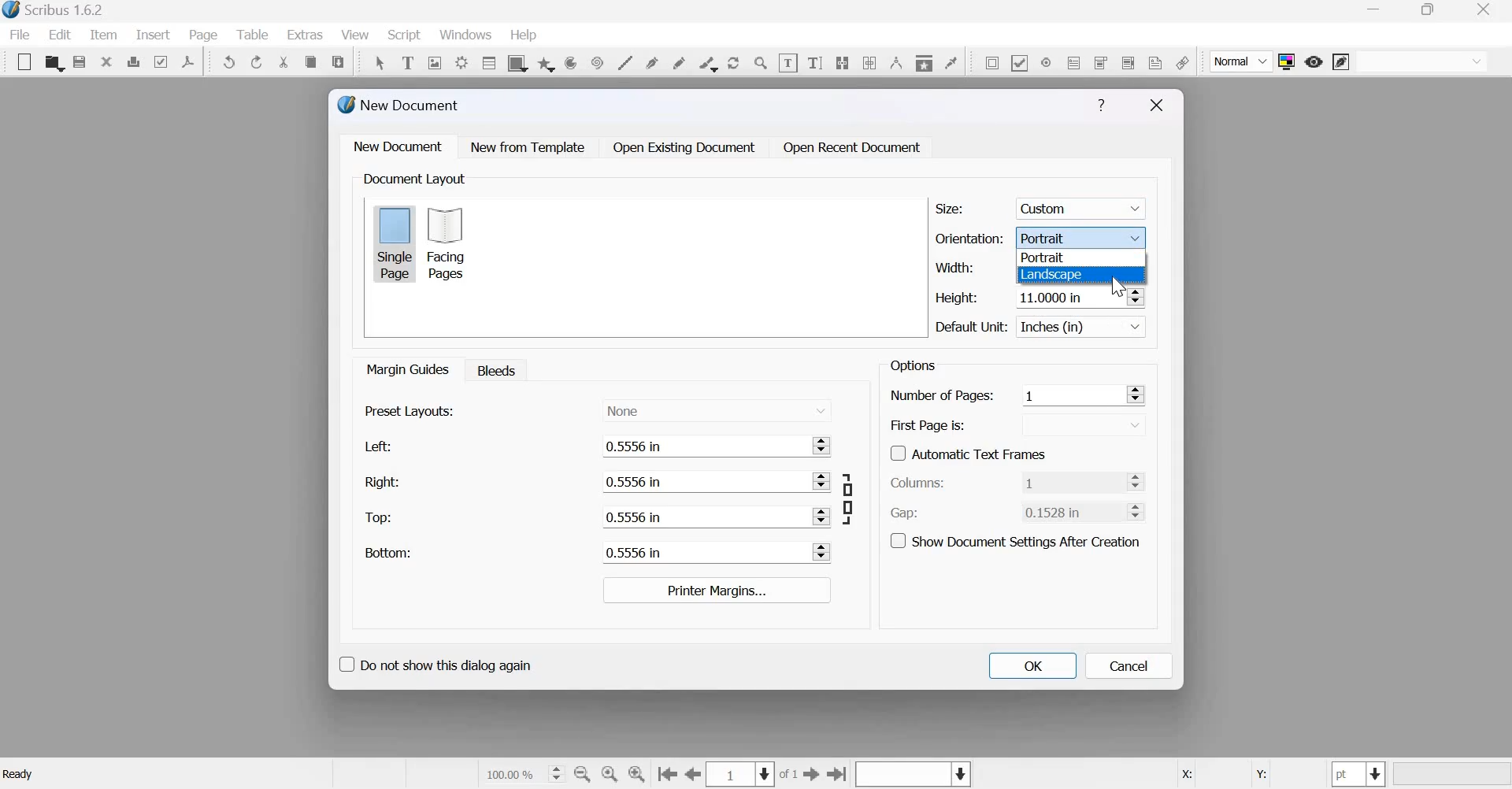 This screenshot has height=789, width=1512. What do you see at coordinates (838, 773) in the screenshot?
I see `Go to the last page` at bounding box center [838, 773].